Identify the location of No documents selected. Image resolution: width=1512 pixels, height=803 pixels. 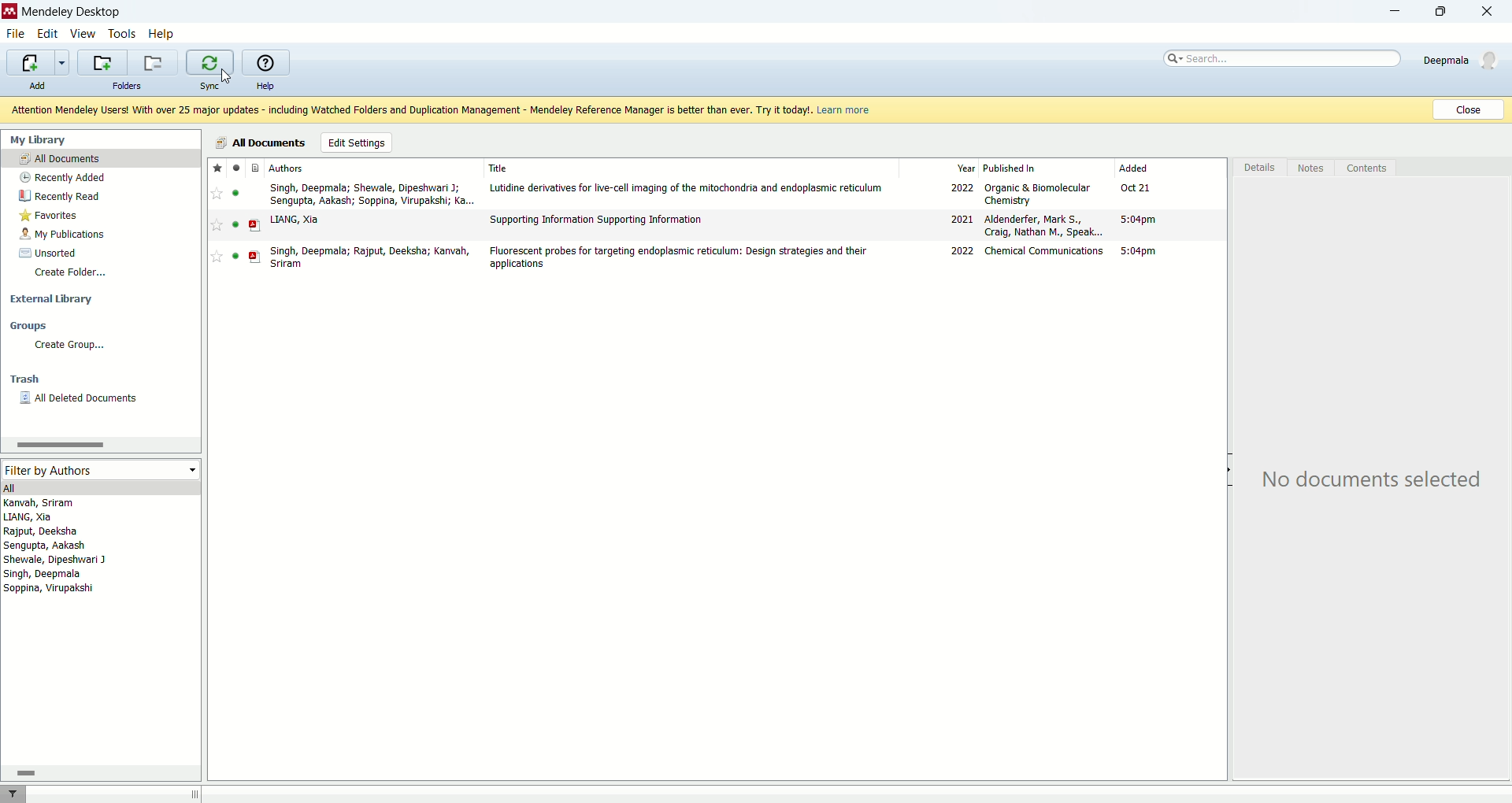
(1372, 478).